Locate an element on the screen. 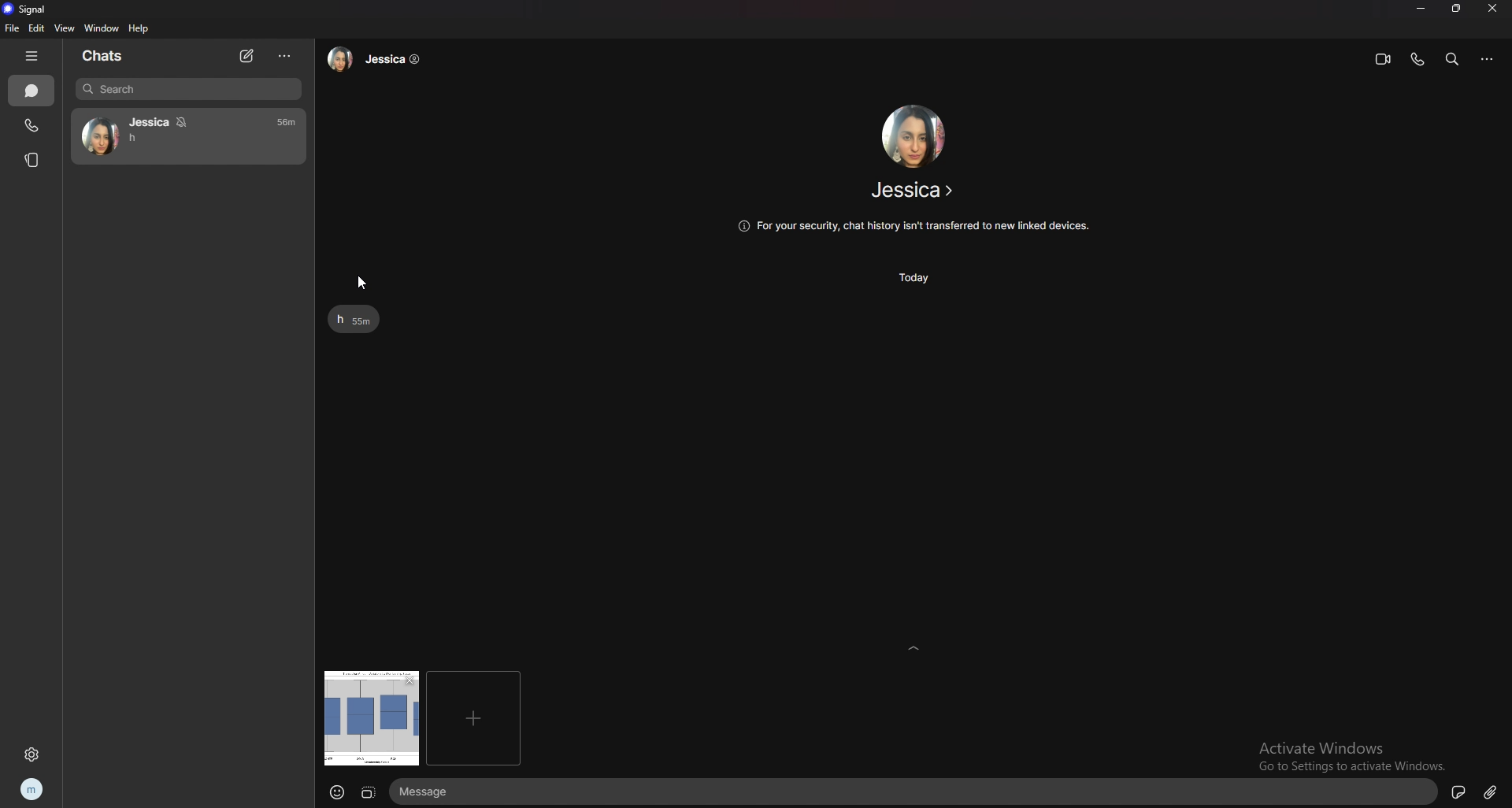  minimize is located at coordinates (1421, 9).